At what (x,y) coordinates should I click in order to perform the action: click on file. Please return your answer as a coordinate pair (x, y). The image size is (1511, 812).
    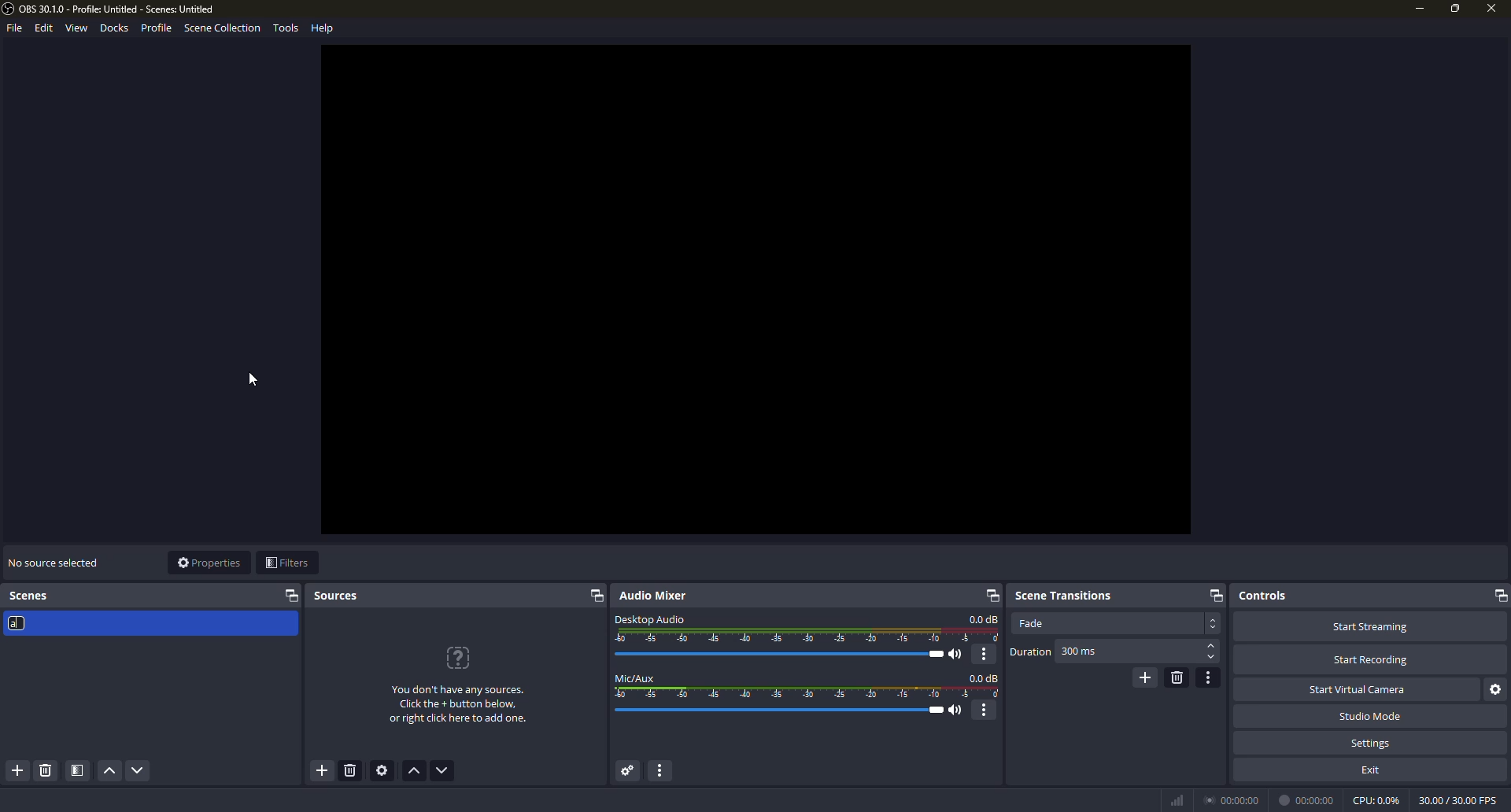
    Looking at the image, I should click on (13, 30).